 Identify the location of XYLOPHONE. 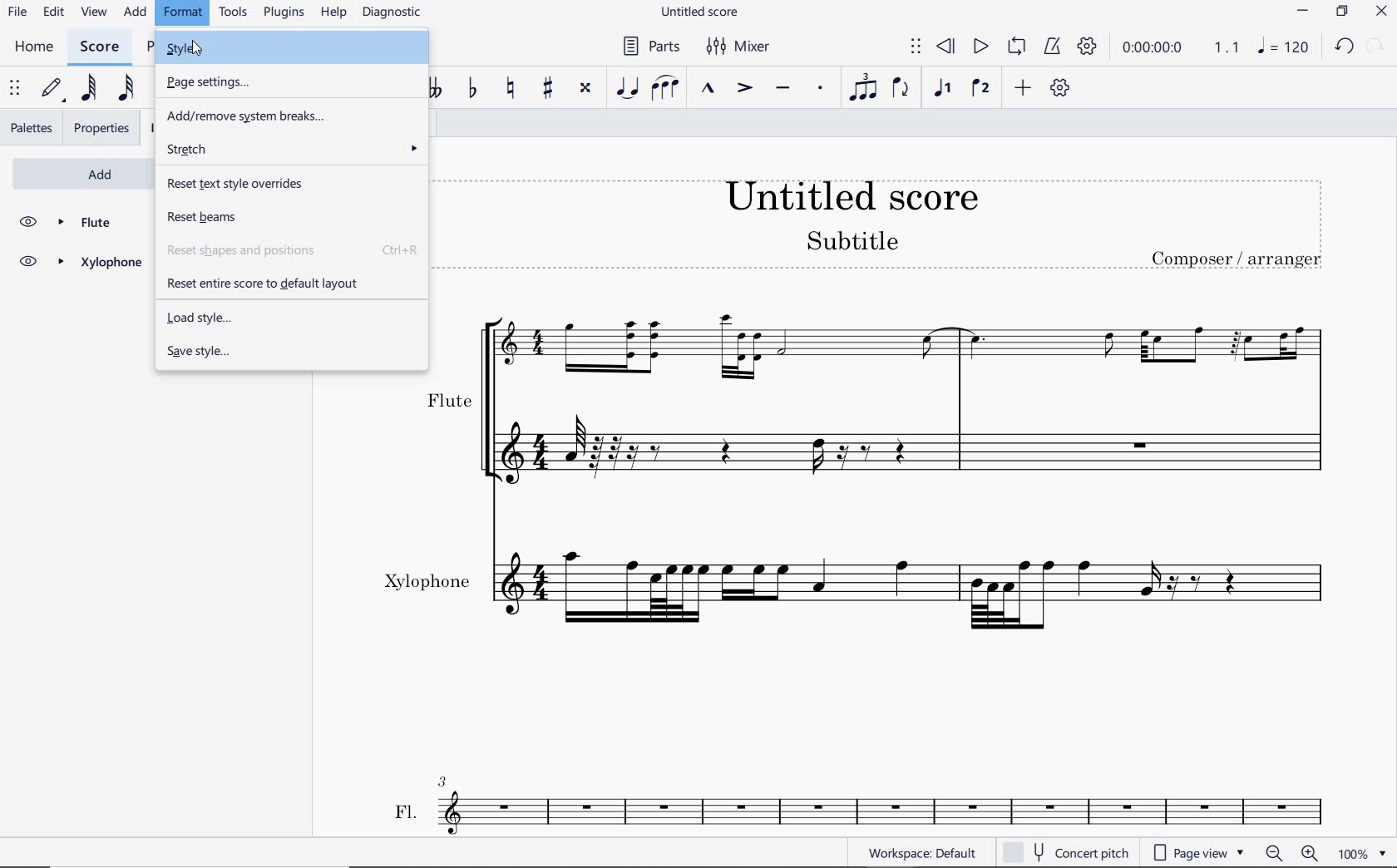
(80, 264).